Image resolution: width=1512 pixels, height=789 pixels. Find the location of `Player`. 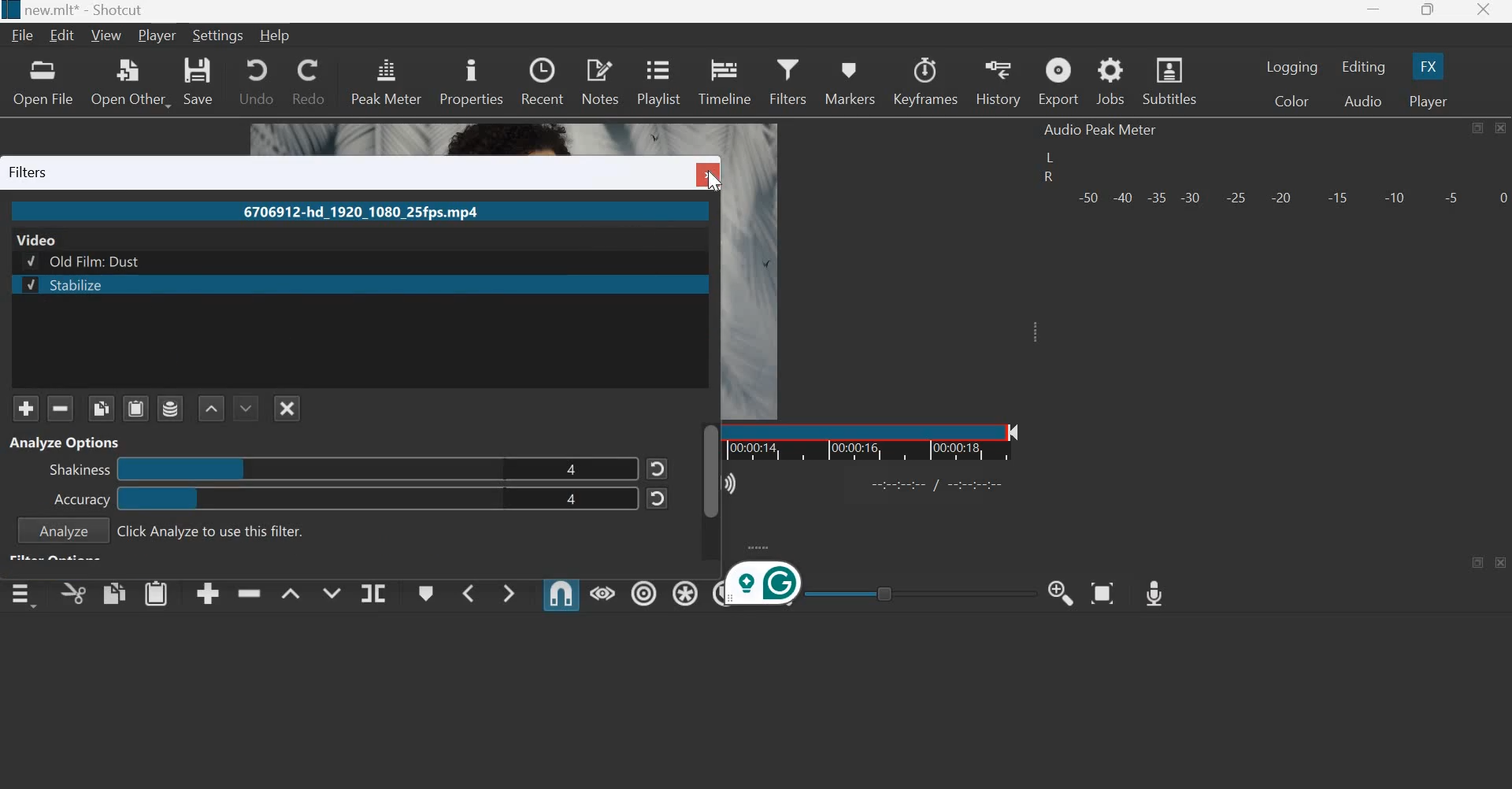

Player is located at coordinates (1429, 99).